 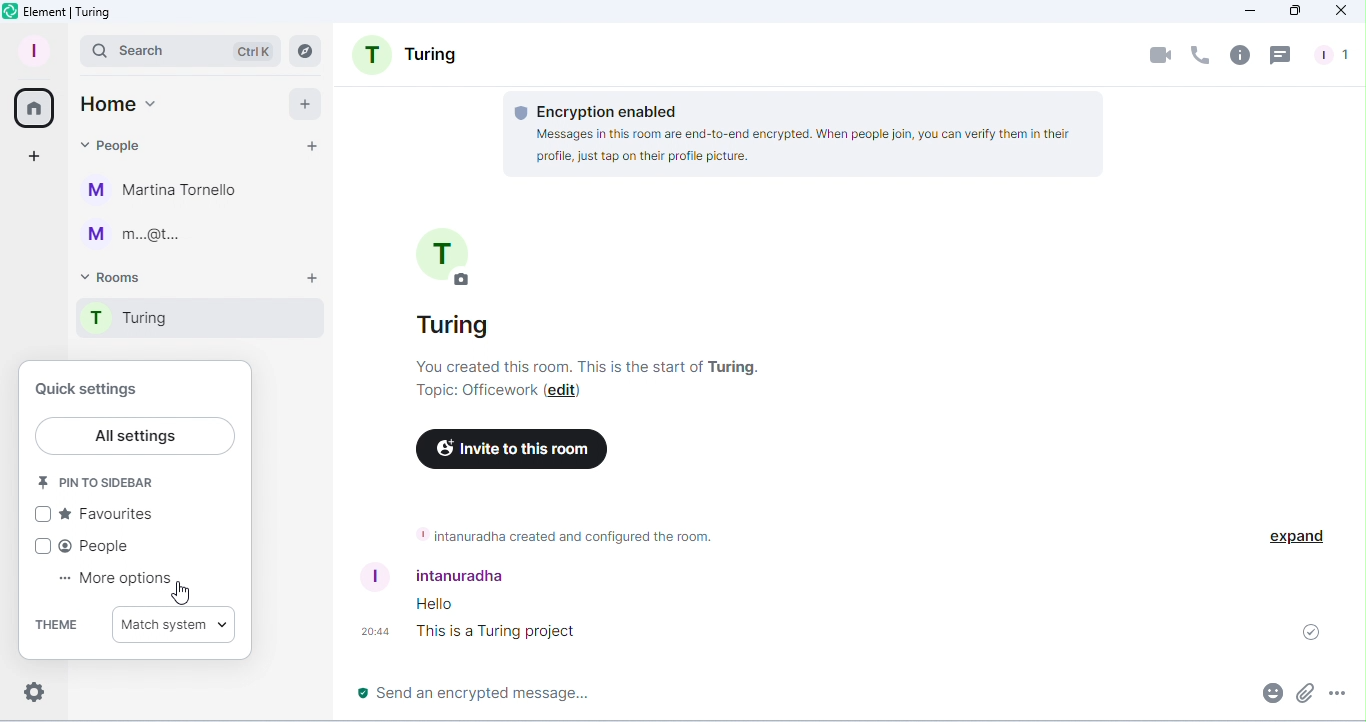 I want to click on Note, so click(x=556, y=534).